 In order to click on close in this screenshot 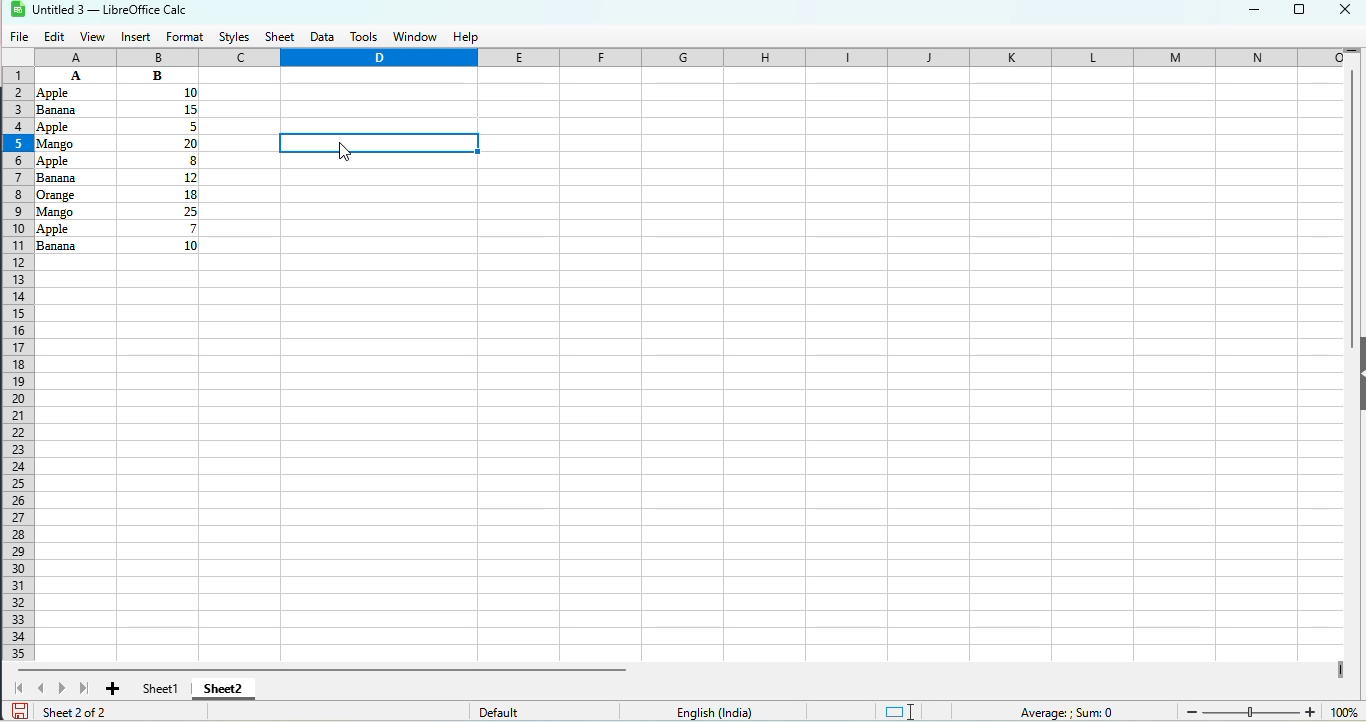, I will do `click(1345, 8)`.